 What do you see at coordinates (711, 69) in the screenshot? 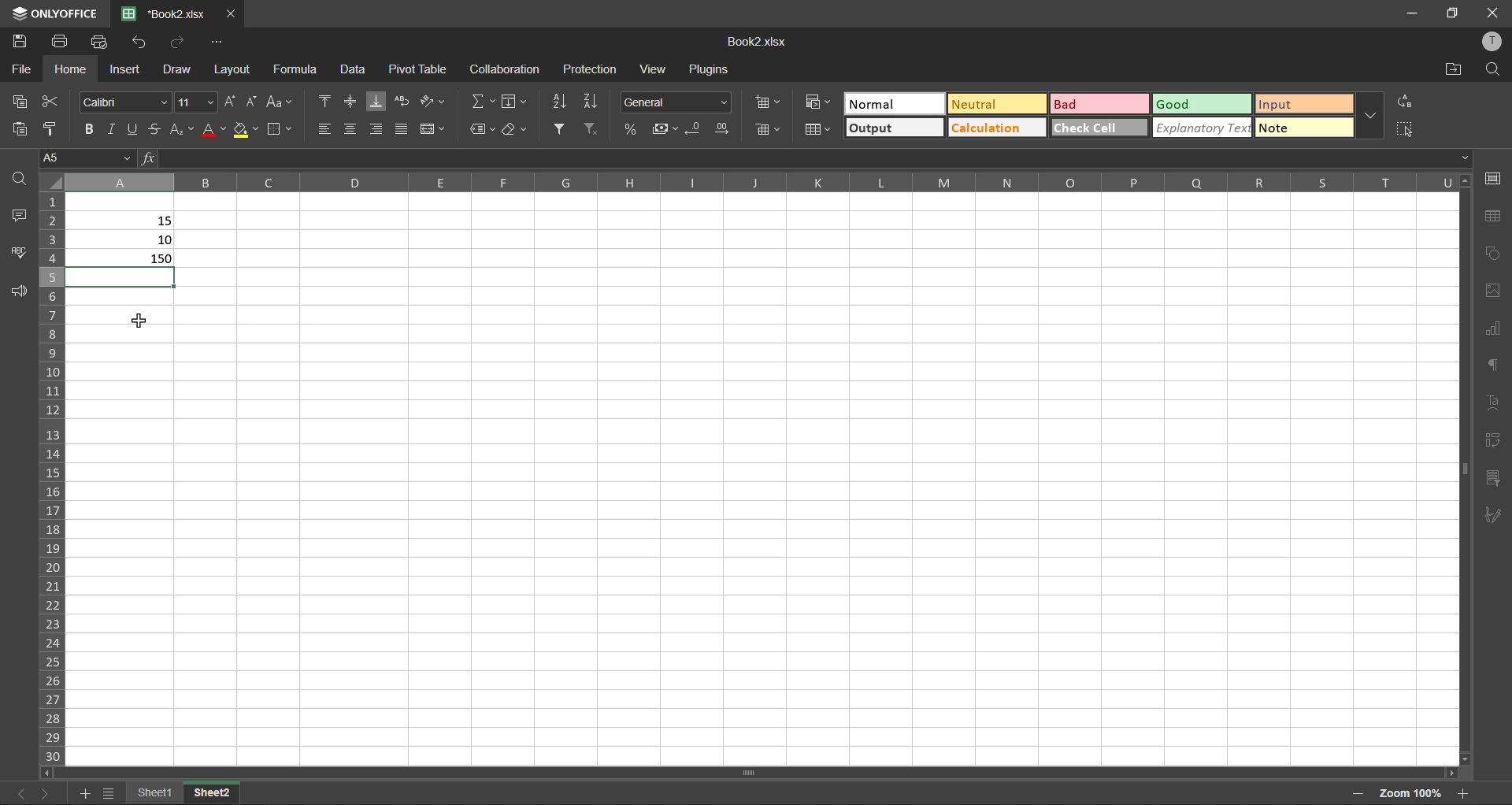
I see `plugins` at bounding box center [711, 69].